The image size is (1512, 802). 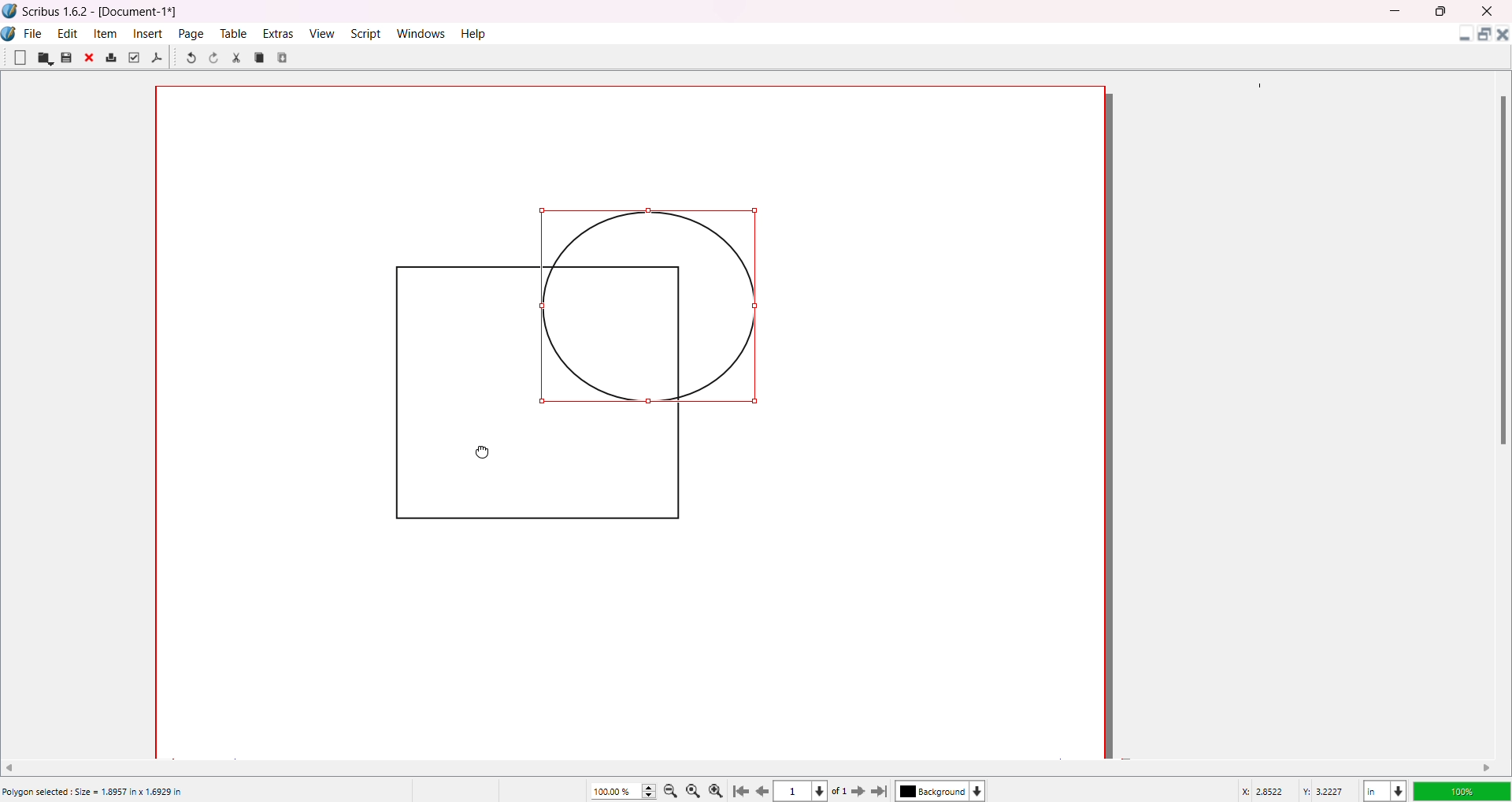 What do you see at coordinates (232, 33) in the screenshot?
I see `Table` at bounding box center [232, 33].